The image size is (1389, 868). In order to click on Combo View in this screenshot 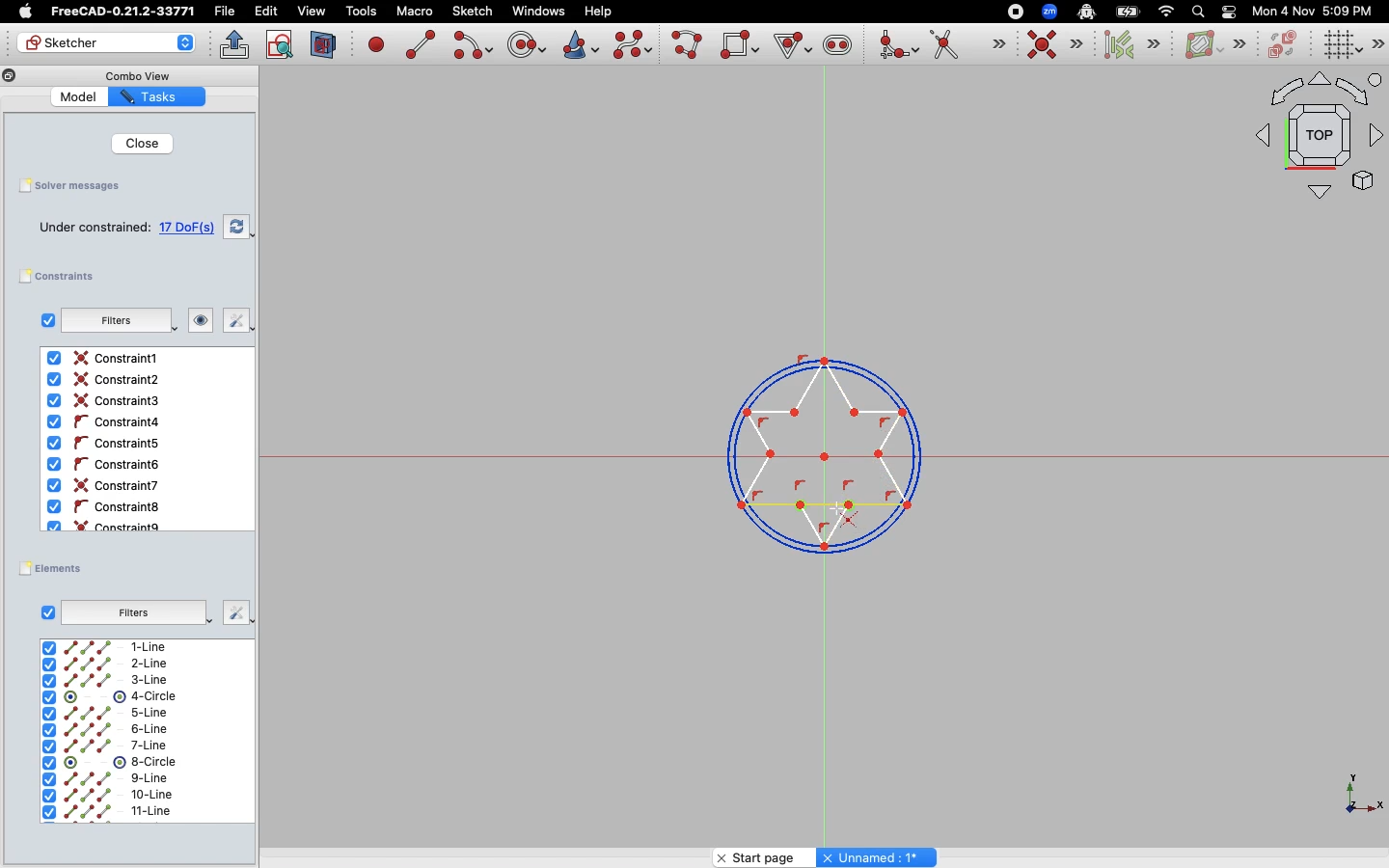, I will do `click(134, 75)`.